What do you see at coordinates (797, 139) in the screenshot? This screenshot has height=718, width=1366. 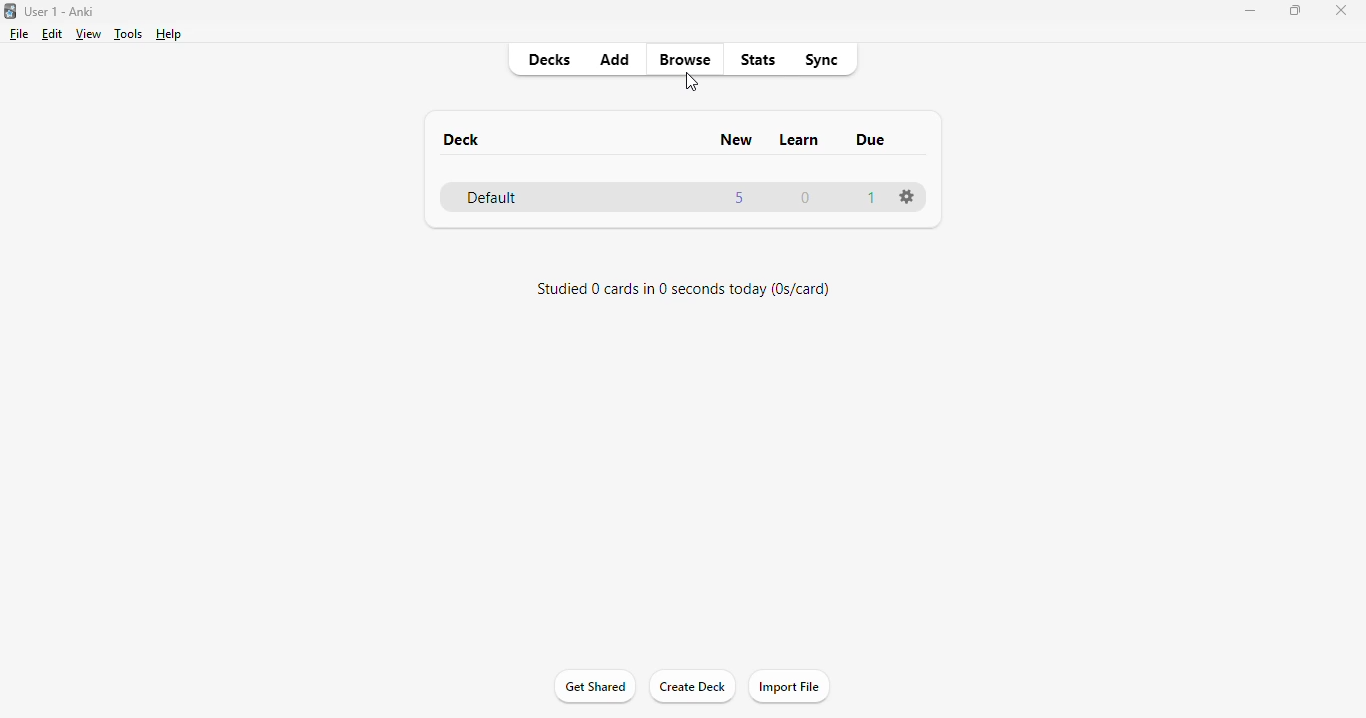 I see `learn` at bounding box center [797, 139].